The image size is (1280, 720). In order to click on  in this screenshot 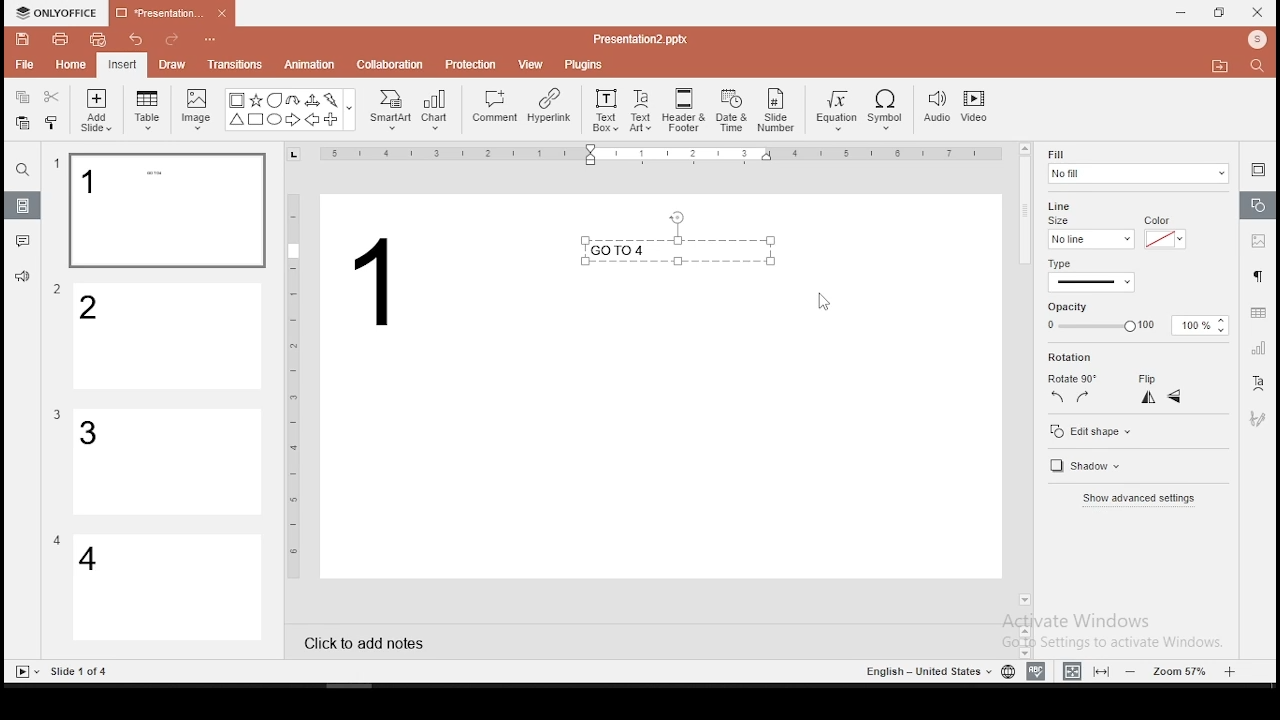, I will do `click(57, 415)`.